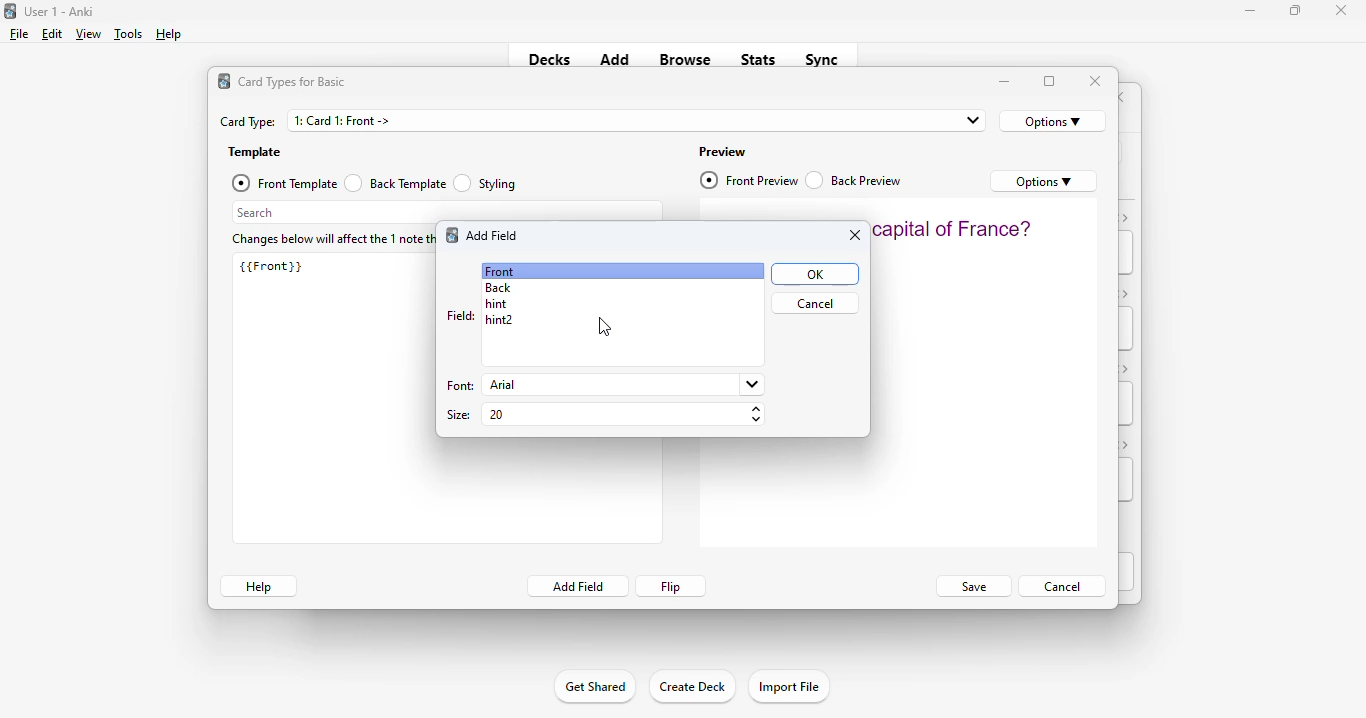 The height and width of the screenshot is (718, 1366). I want to click on template, so click(255, 153).